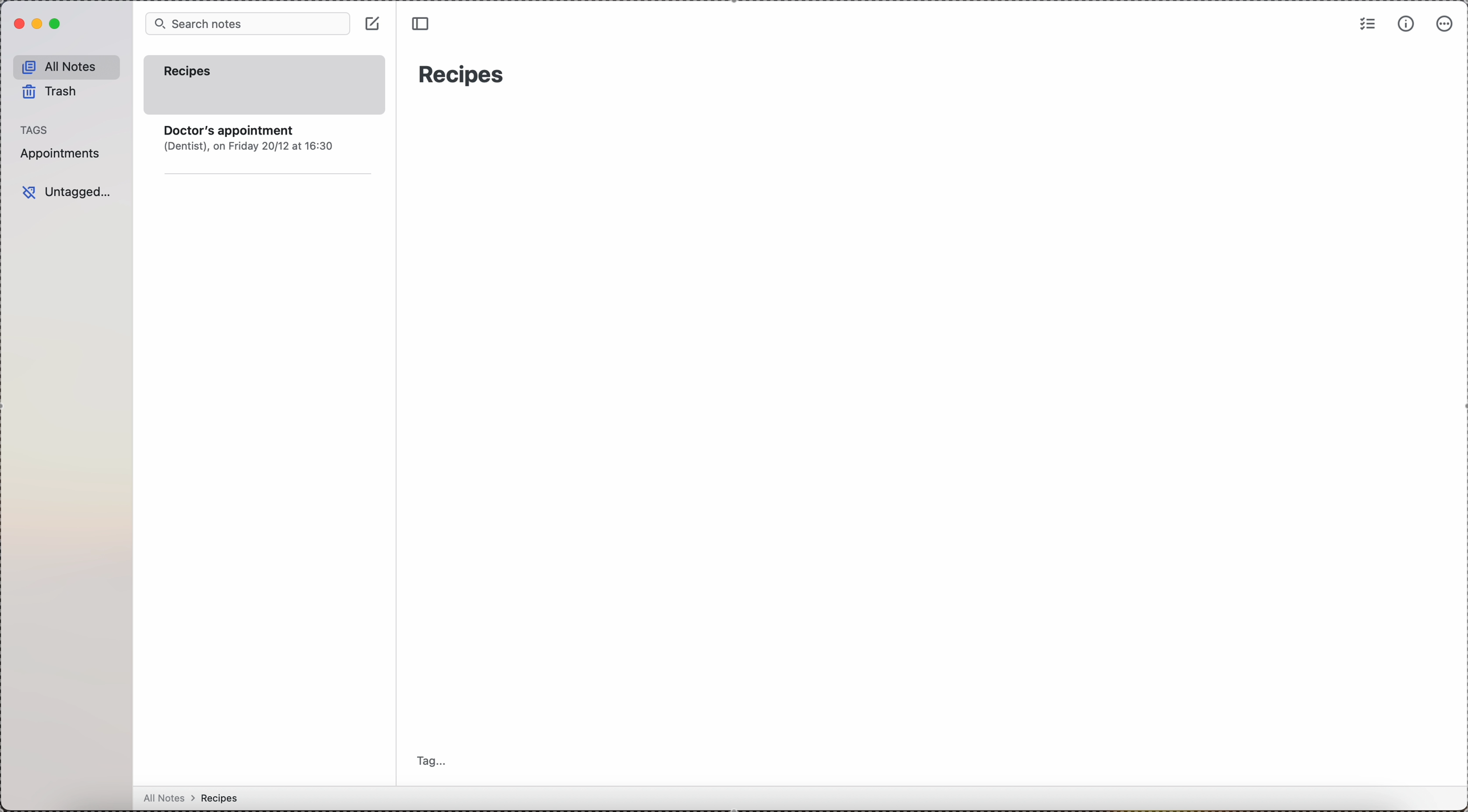 This screenshot has height=812, width=1468. I want to click on all notes, so click(229, 798).